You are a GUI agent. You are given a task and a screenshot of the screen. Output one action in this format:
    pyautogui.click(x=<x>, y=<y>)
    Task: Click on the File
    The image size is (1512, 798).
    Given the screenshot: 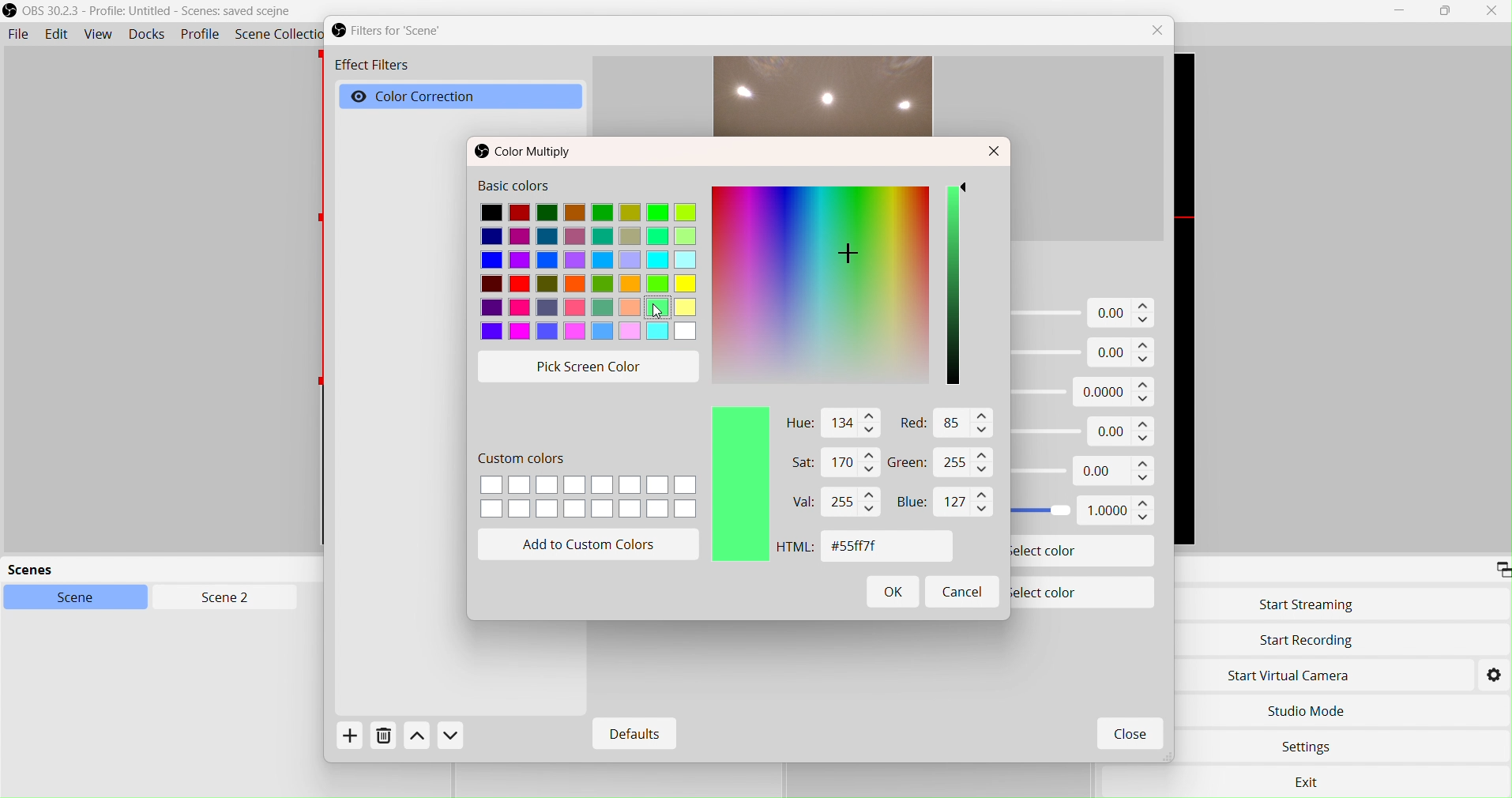 What is the action you would take?
    pyautogui.click(x=18, y=35)
    